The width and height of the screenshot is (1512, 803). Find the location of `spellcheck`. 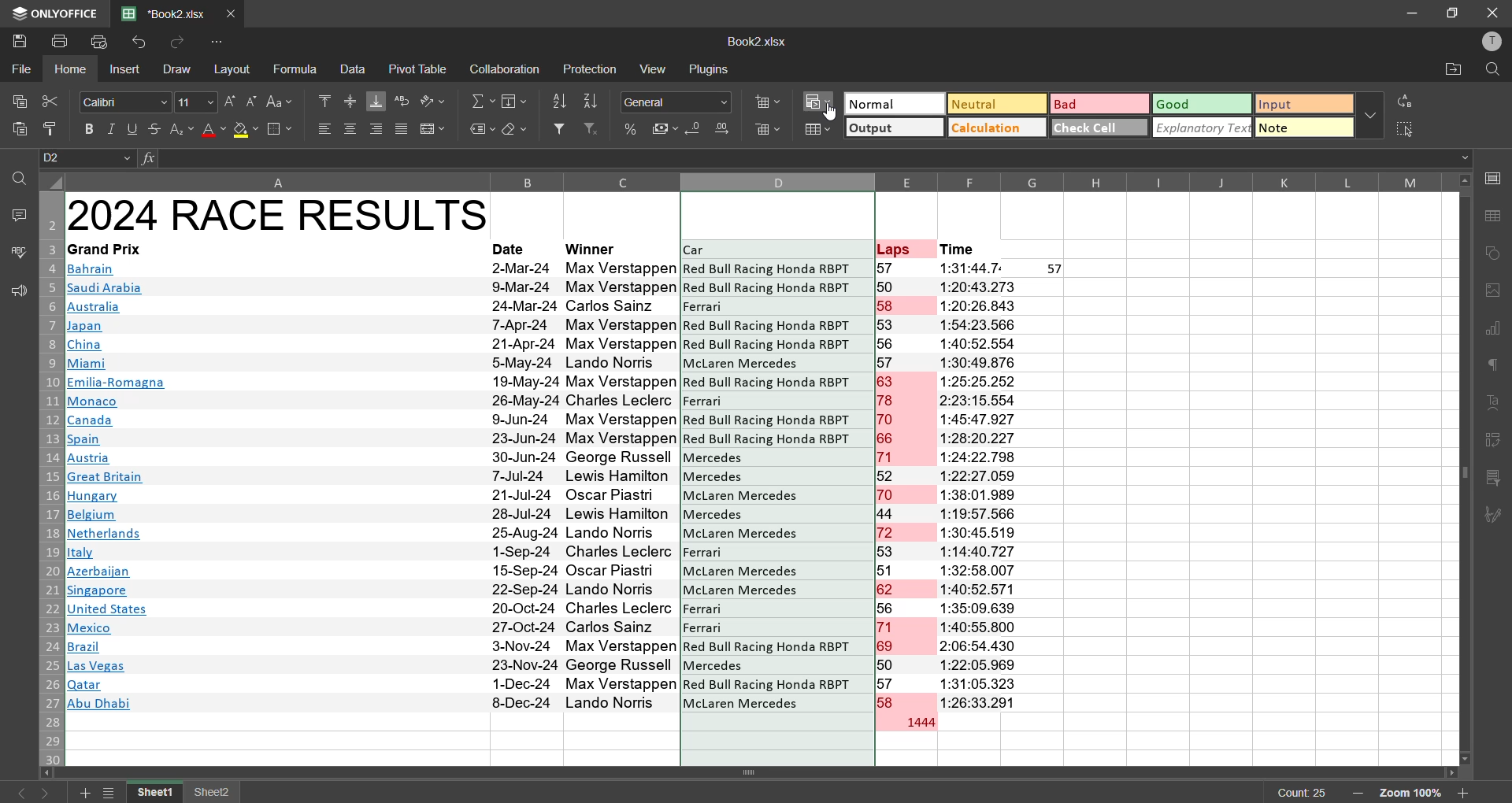

spellcheck is located at coordinates (17, 254).